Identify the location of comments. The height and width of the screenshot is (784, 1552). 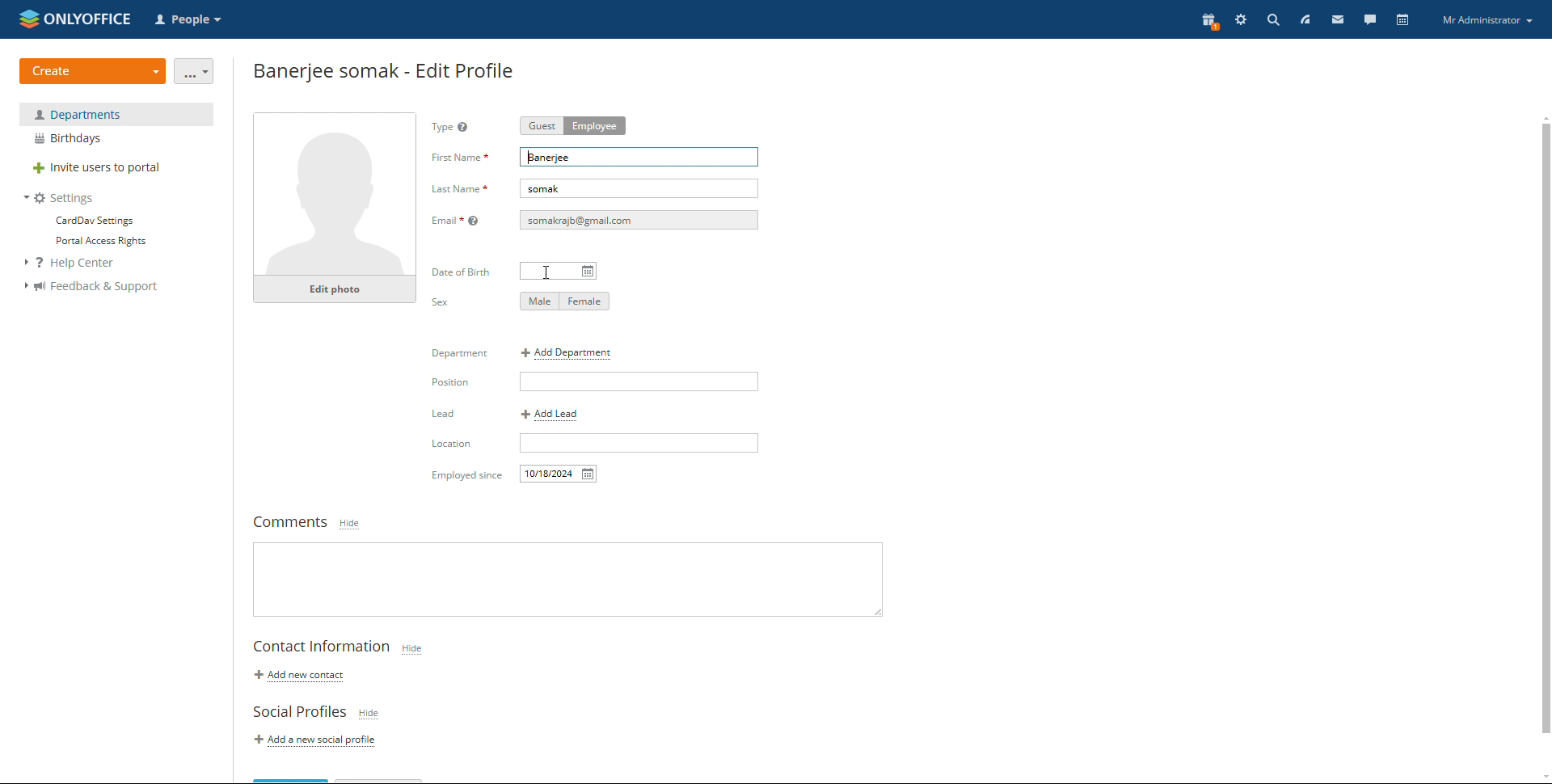
(286, 523).